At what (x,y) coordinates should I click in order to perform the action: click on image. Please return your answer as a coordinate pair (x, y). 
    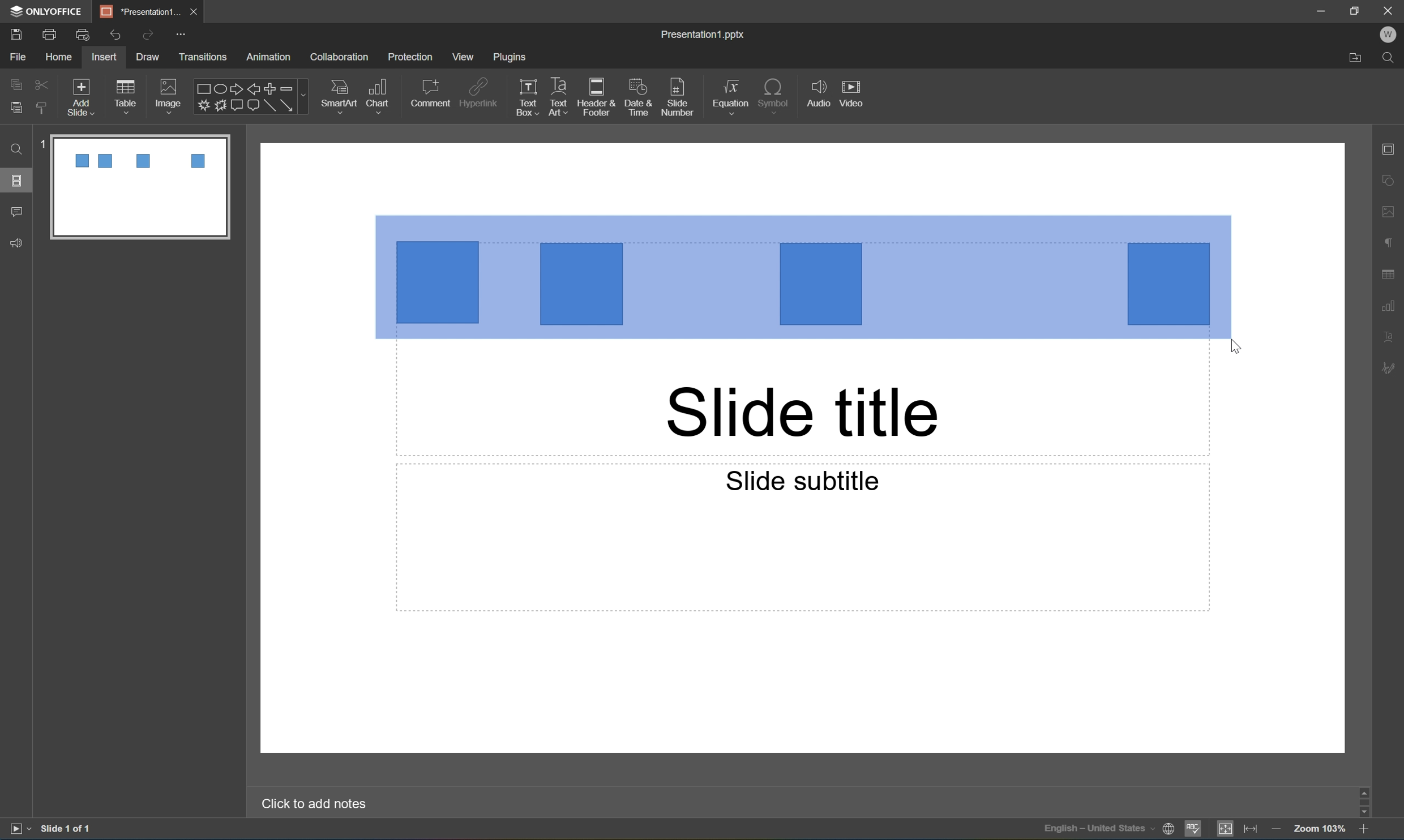
    Looking at the image, I should click on (168, 93).